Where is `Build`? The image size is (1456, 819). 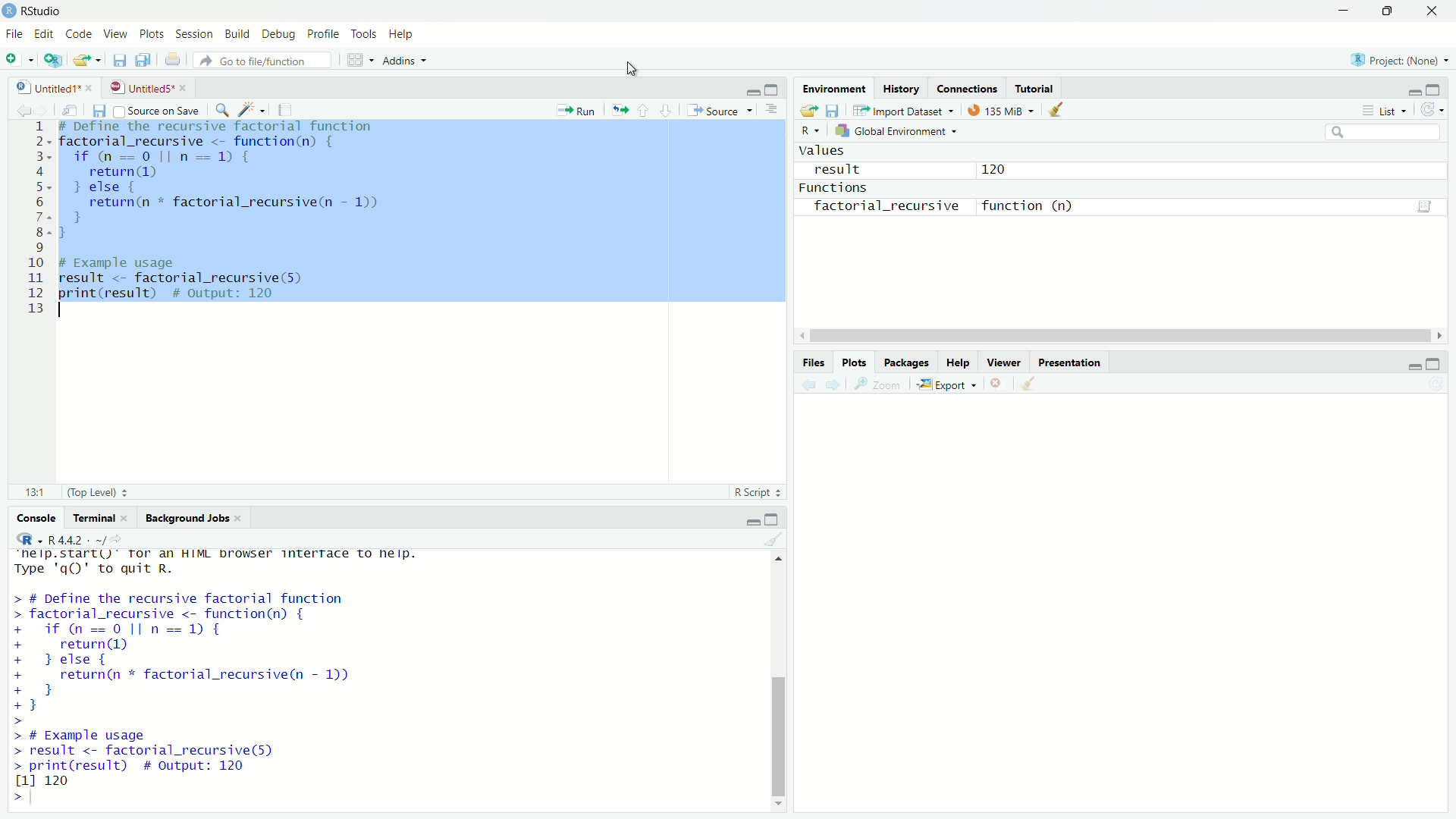
Build is located at coordinates (234, 33).